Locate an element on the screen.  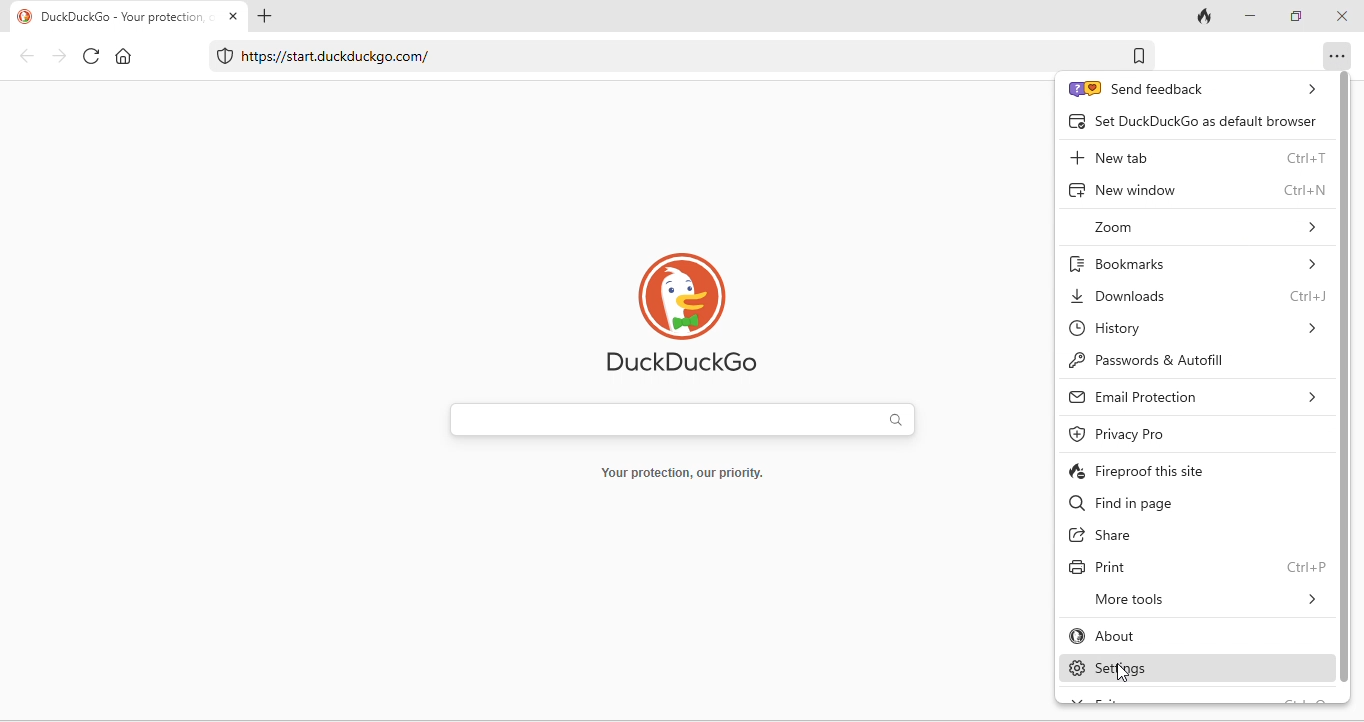
home is located at coordinates (124, 56).